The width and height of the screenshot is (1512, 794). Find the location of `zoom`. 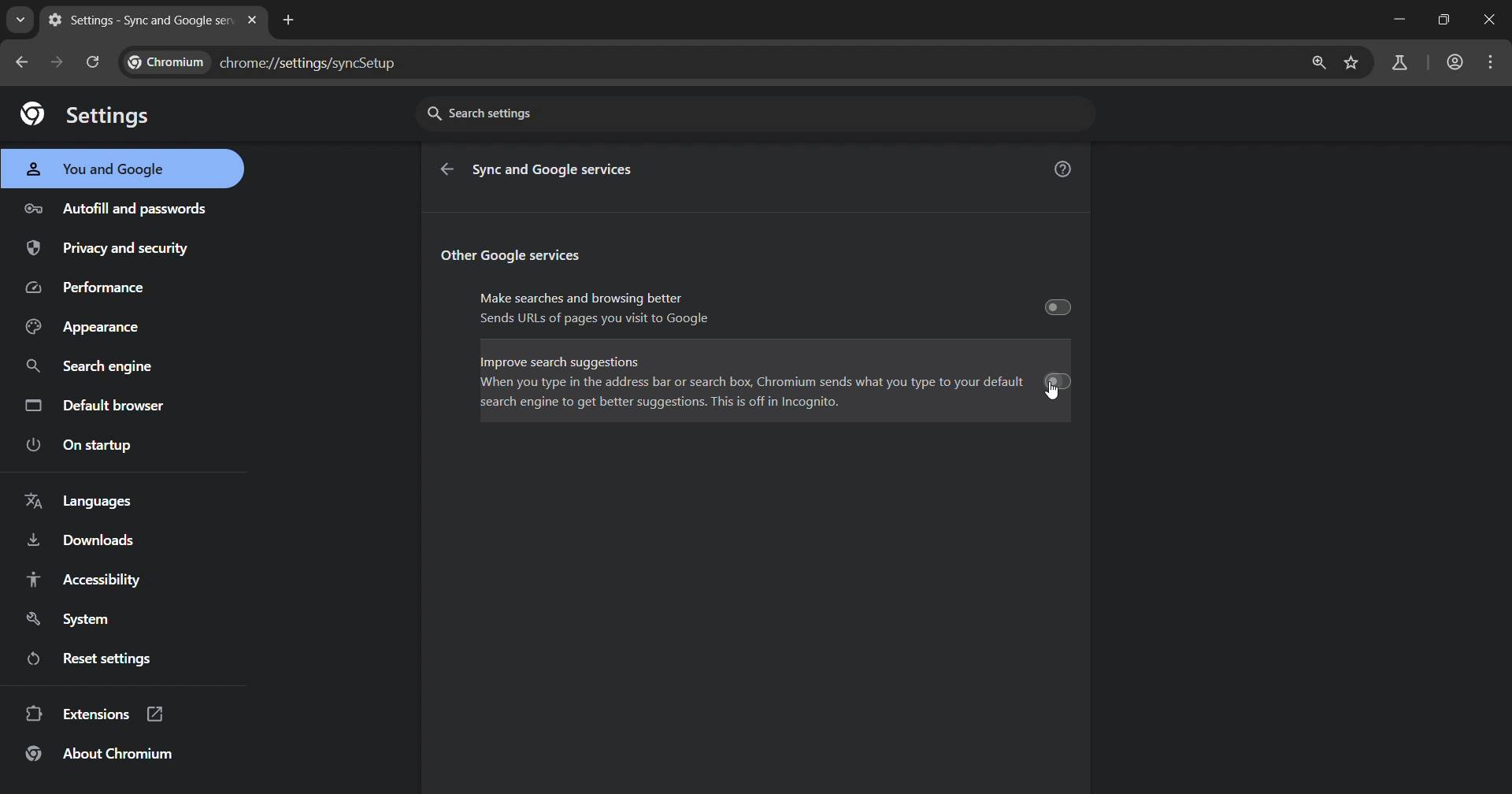

zoom is located at coordinates (1317, 61).